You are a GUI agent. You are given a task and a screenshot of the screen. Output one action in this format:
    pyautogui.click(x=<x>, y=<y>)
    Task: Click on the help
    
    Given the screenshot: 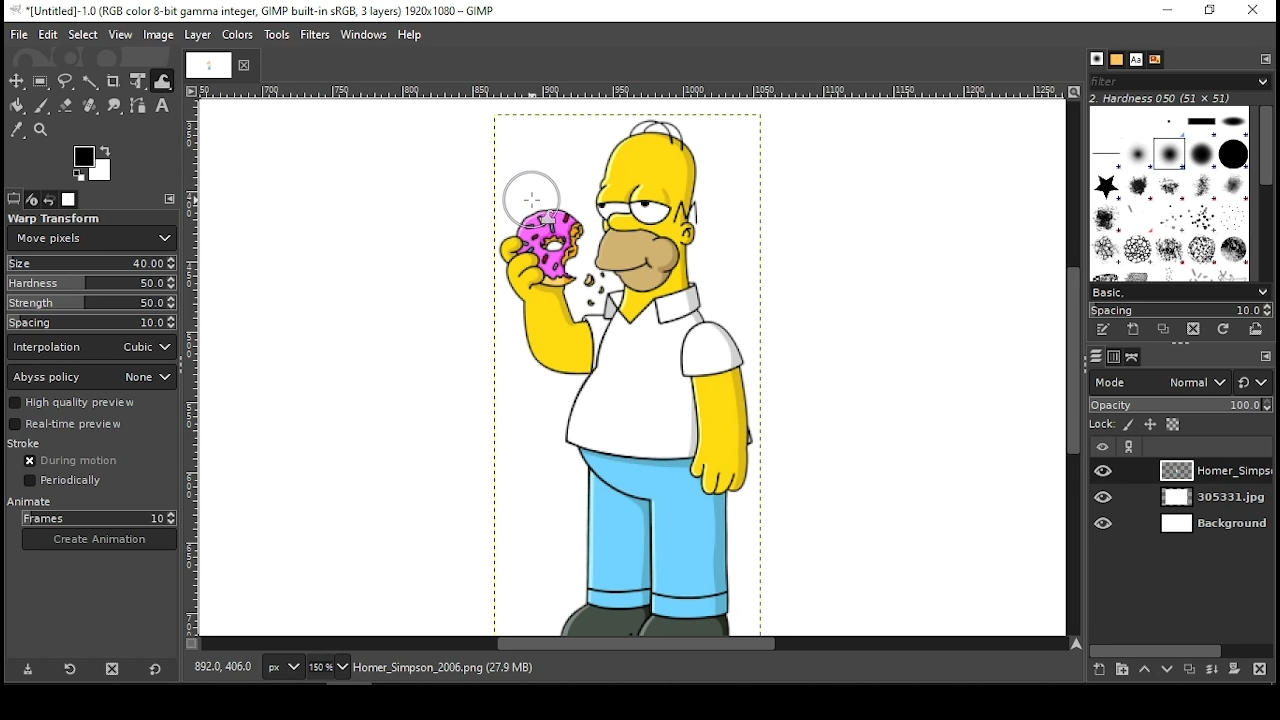 What is the action you would take?
    pyautogui.click(x=411, y=36)
    